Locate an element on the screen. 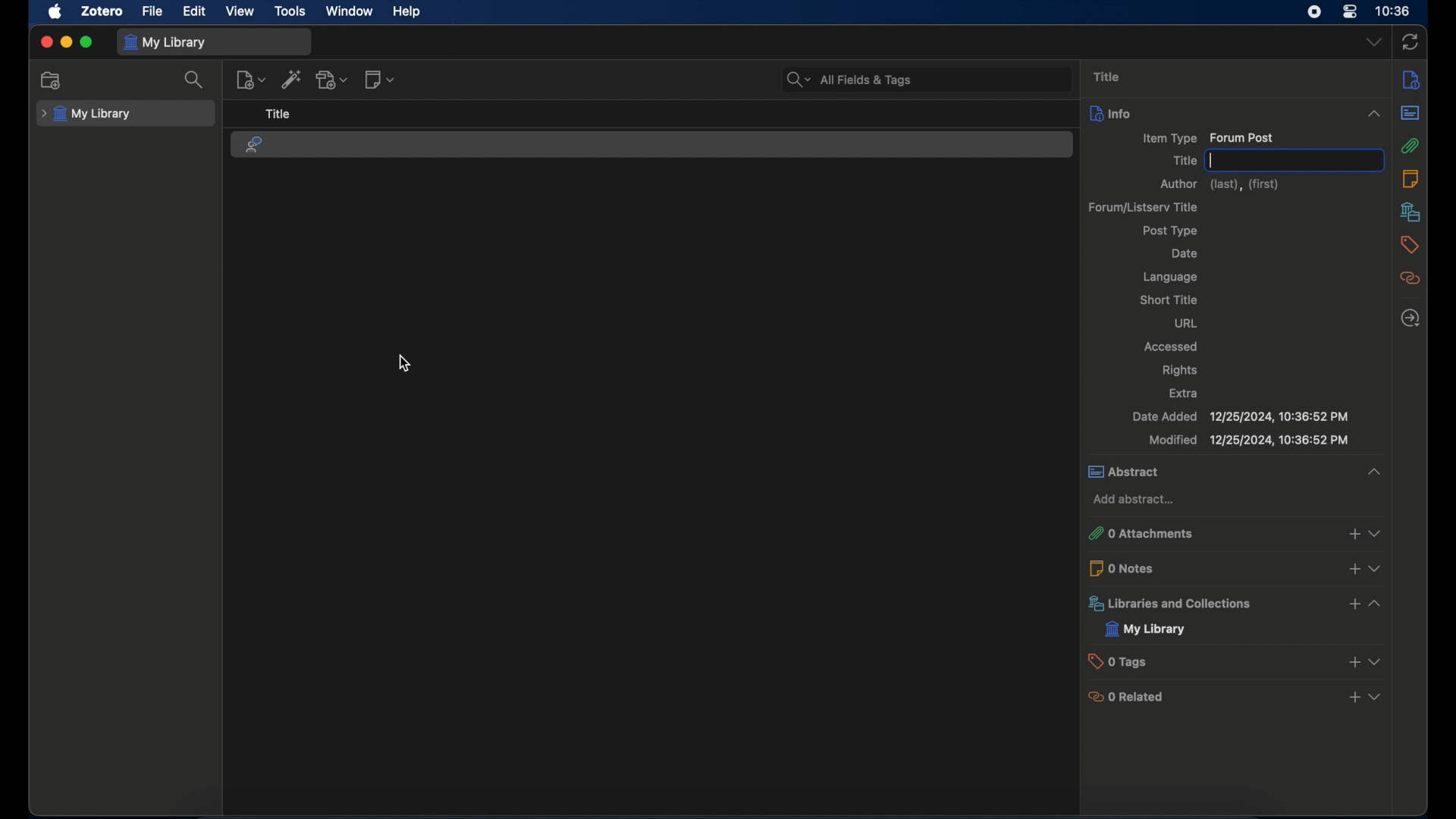 The height and width of the screenshot is (819, 1456). date is located at coordinates (1187, 253).